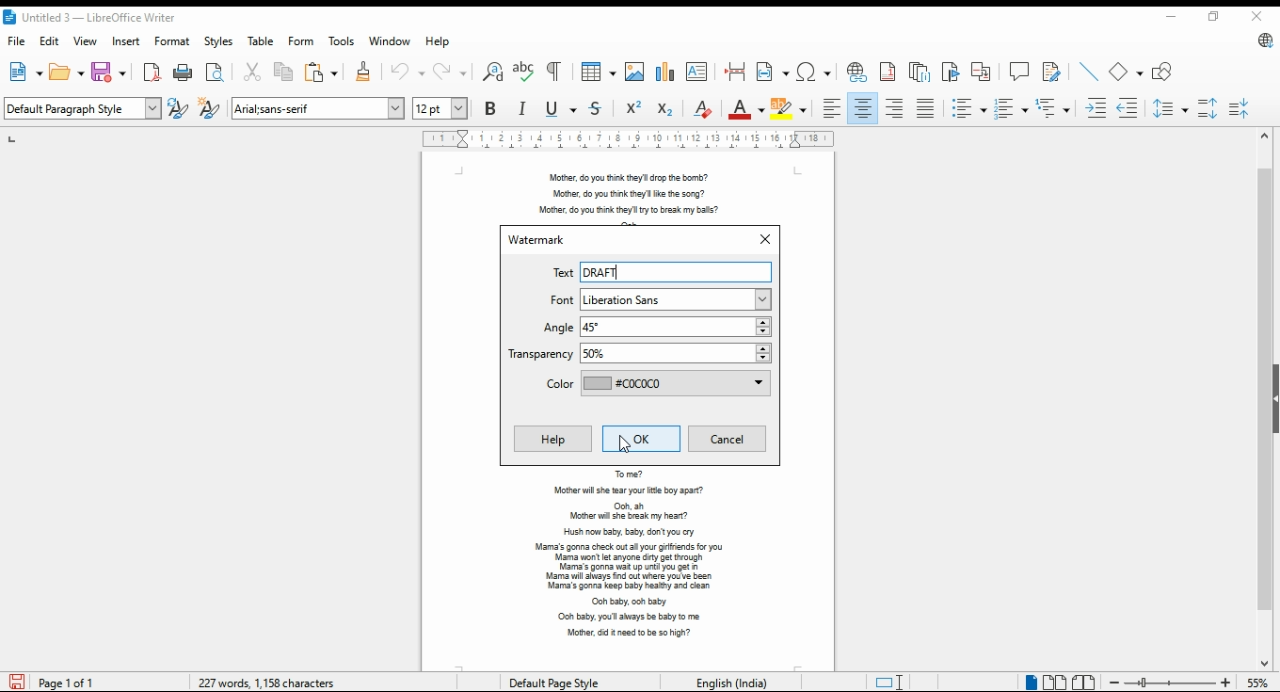 This screenshot has height=692, width=1280. Describe the element at coordinates (897, 108) in the screenshot. I see `align right ` at that location.